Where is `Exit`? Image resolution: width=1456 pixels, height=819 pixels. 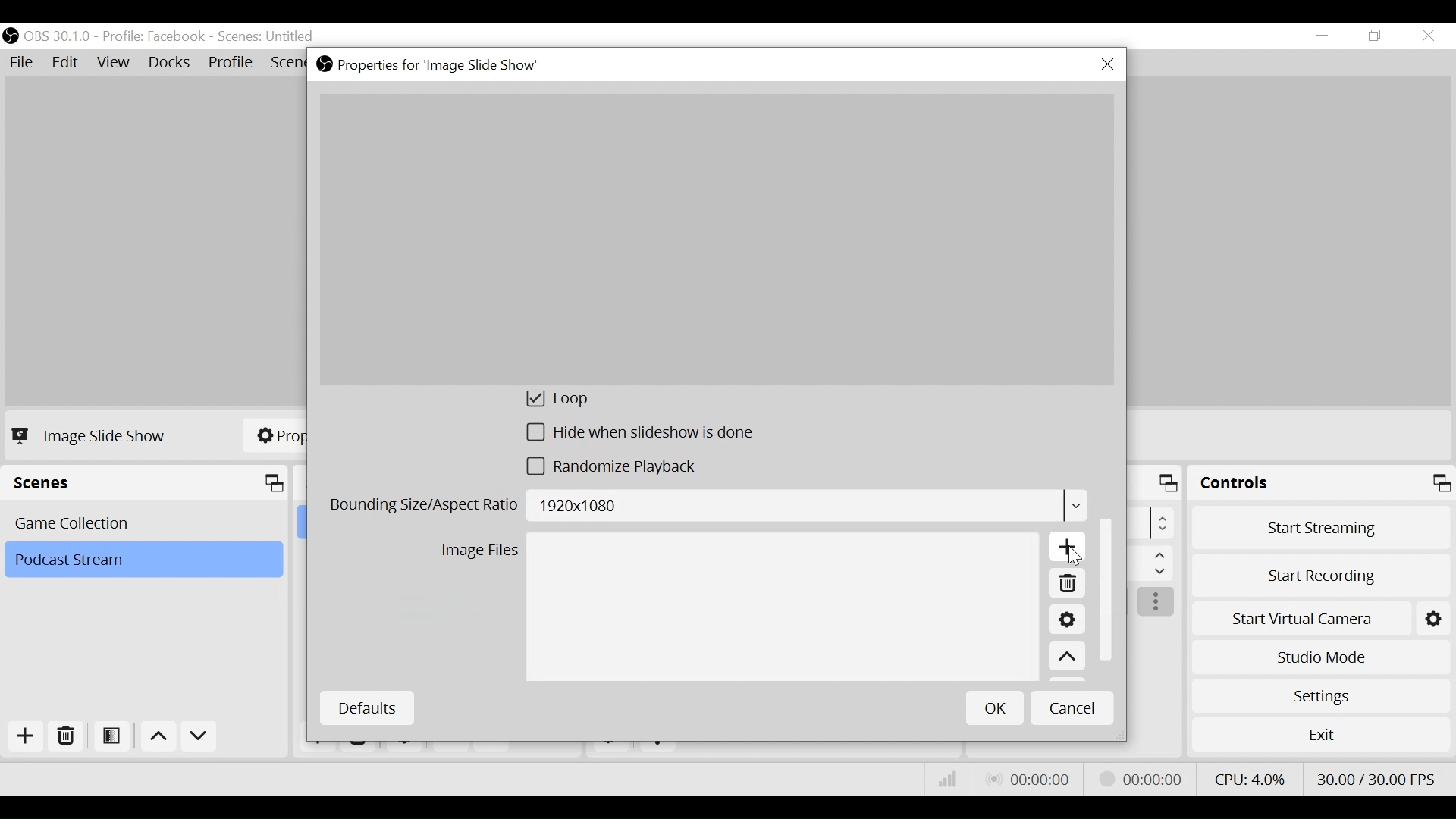 Exit is located at coordinates (1321, 738).